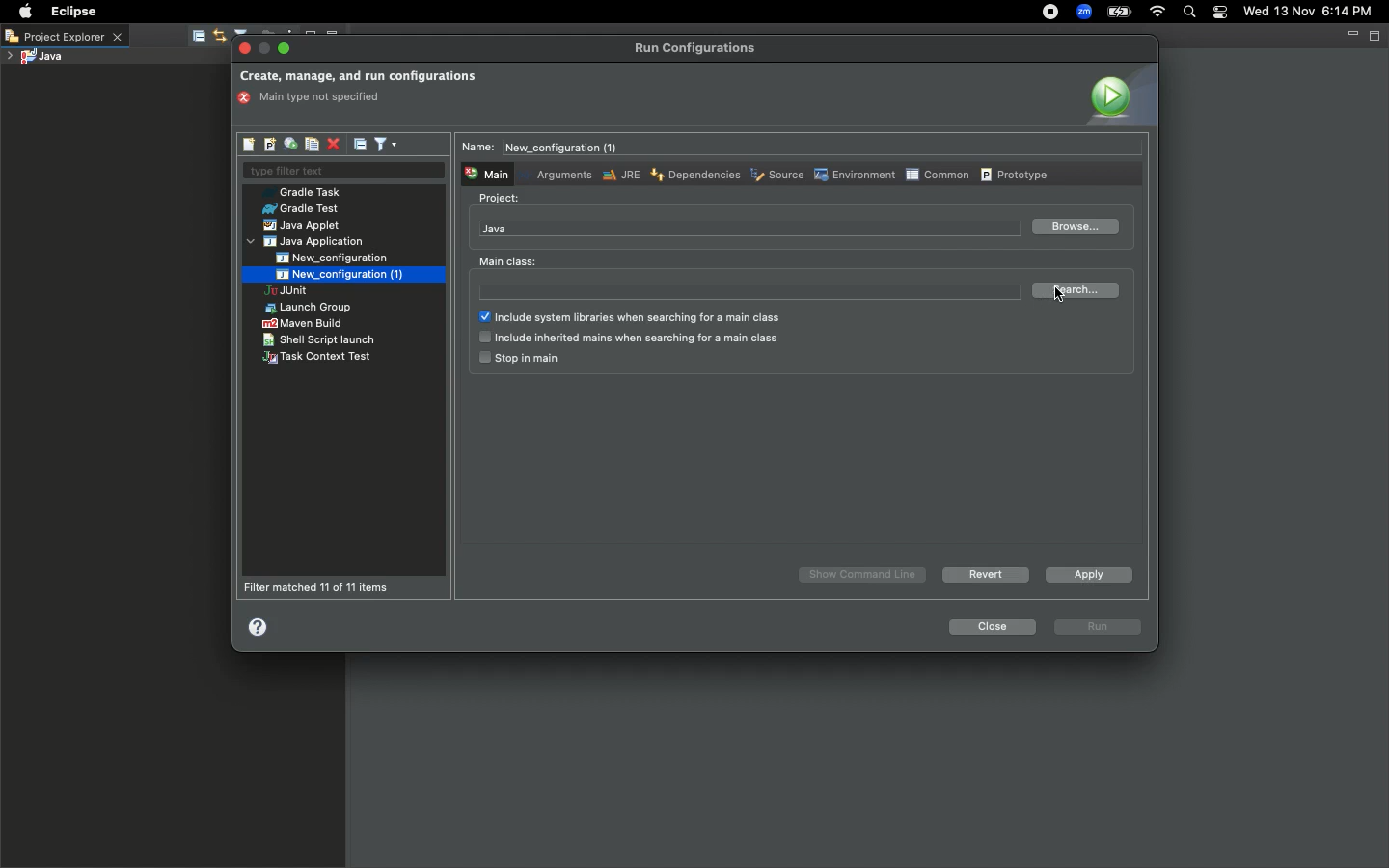 The image size is (1389, 868). What do you see at coordinates (246, 49) in the screenshot?
I see `Close` at bounding box center [246, 49].